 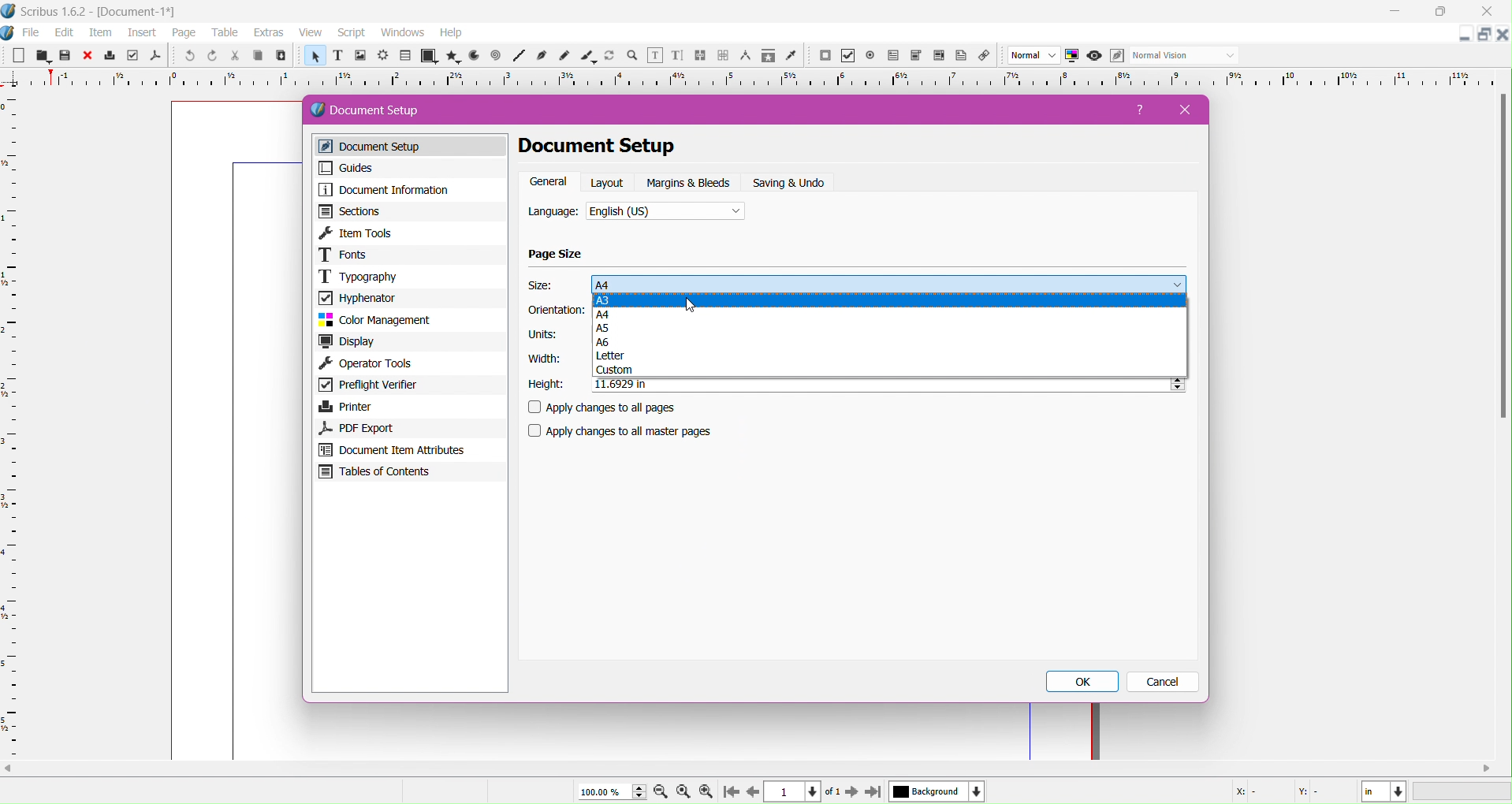 What do you see at coordinates (11, 426) in the screenshot?
I see `Ruler` at bounding box center [11, 426].